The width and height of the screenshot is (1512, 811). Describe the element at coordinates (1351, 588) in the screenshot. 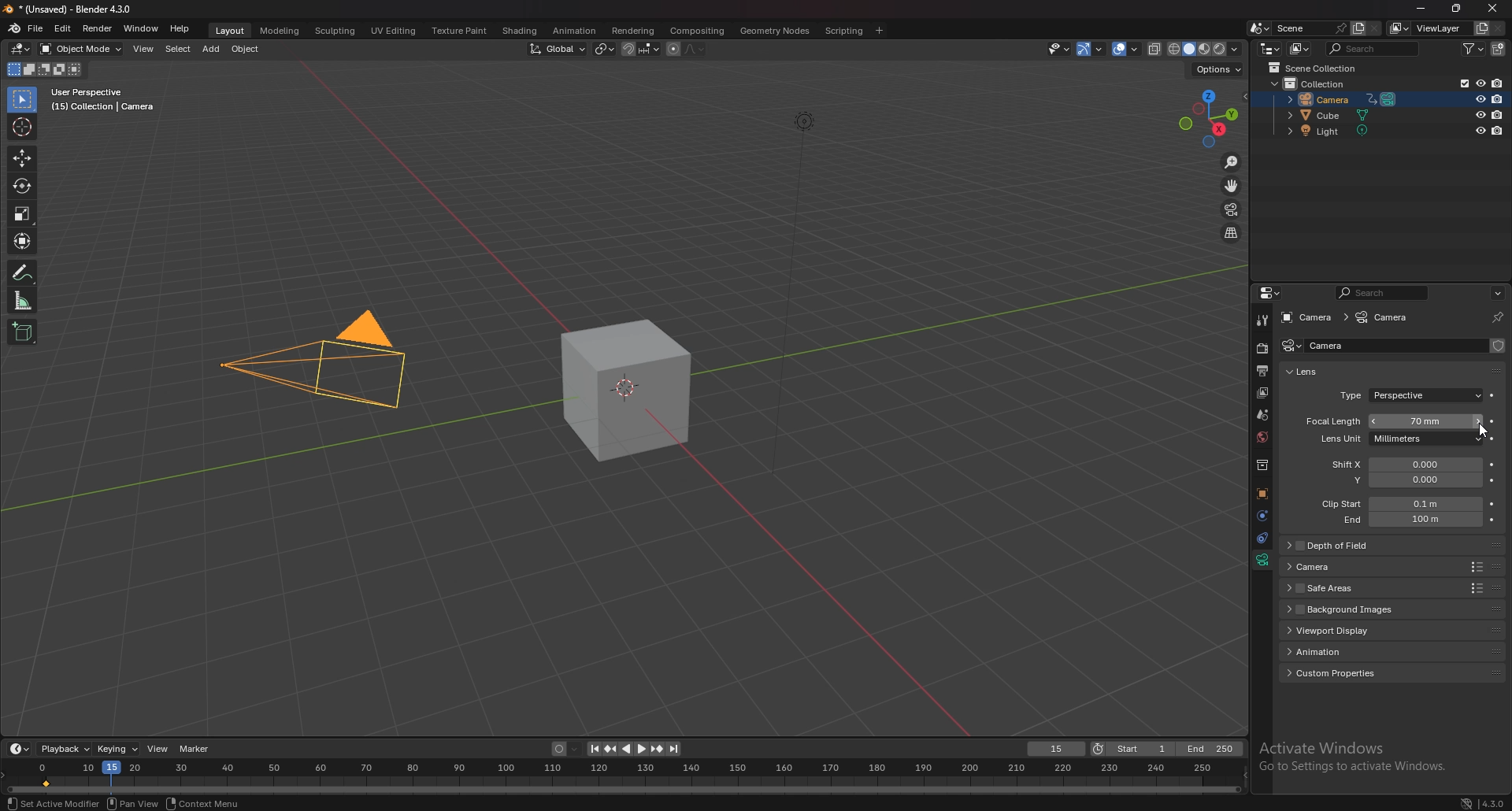

I see `safe areas` at that location.